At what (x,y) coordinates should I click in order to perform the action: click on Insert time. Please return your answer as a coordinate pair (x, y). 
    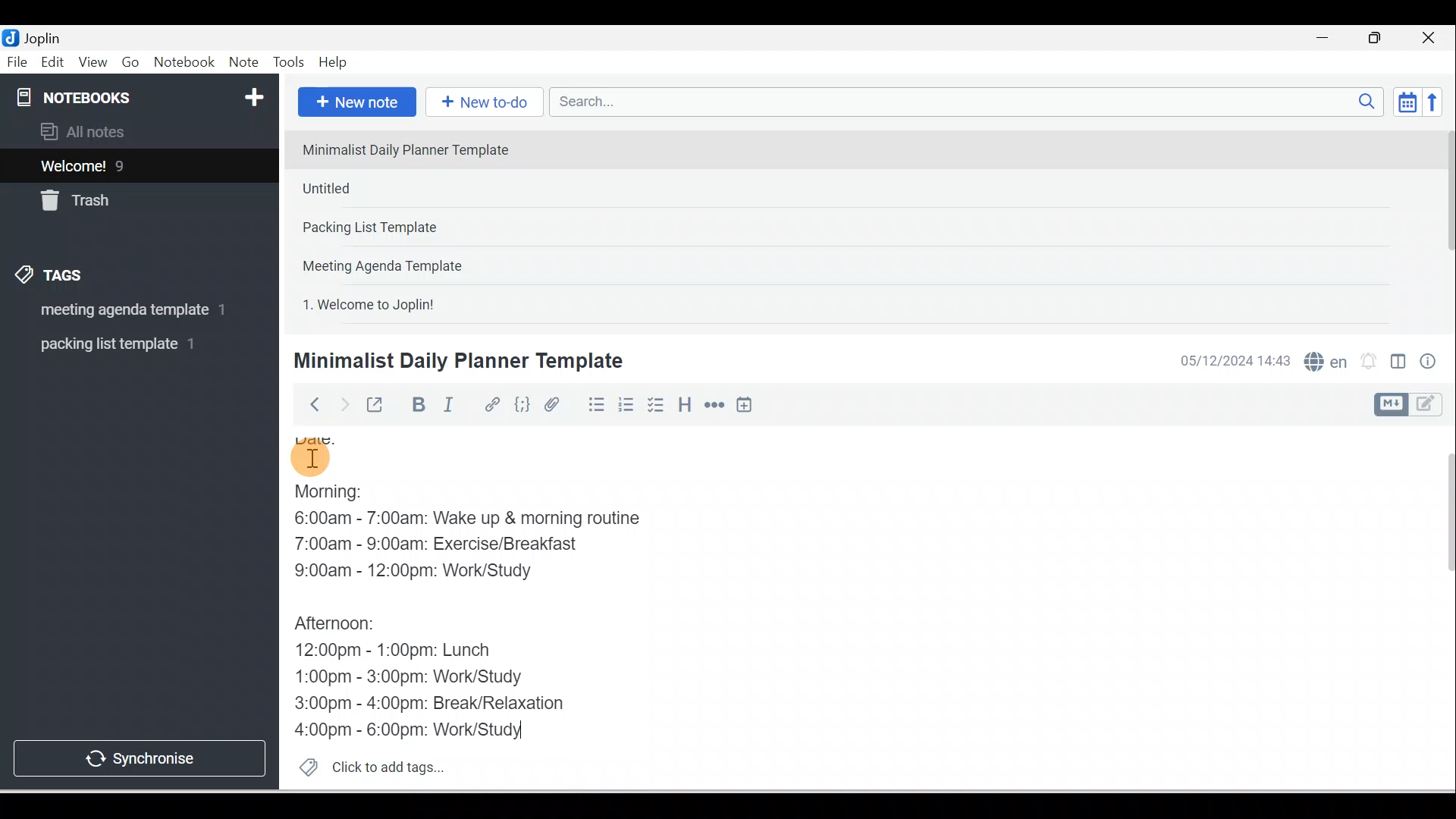
    Looking at the image, I should click on (744, 406).